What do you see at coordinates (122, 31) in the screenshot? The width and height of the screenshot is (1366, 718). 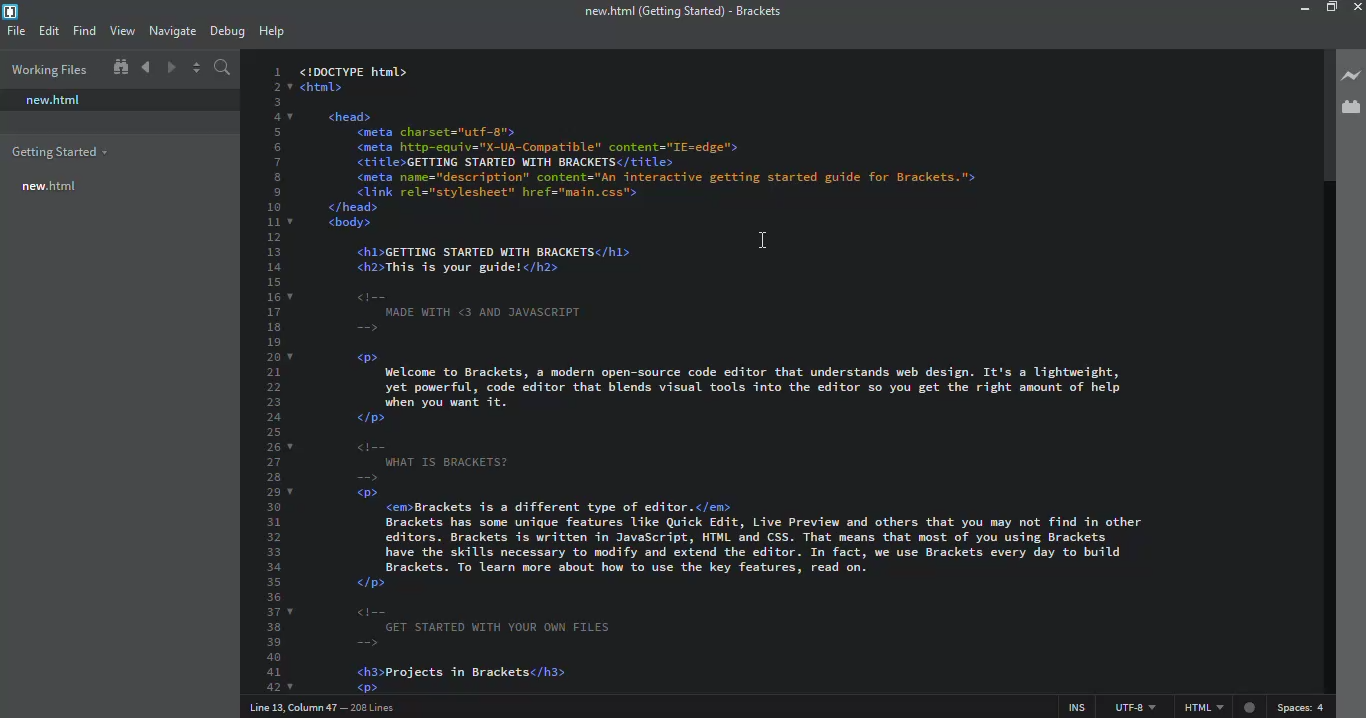 I see `view` at bounding box center [122, 31].